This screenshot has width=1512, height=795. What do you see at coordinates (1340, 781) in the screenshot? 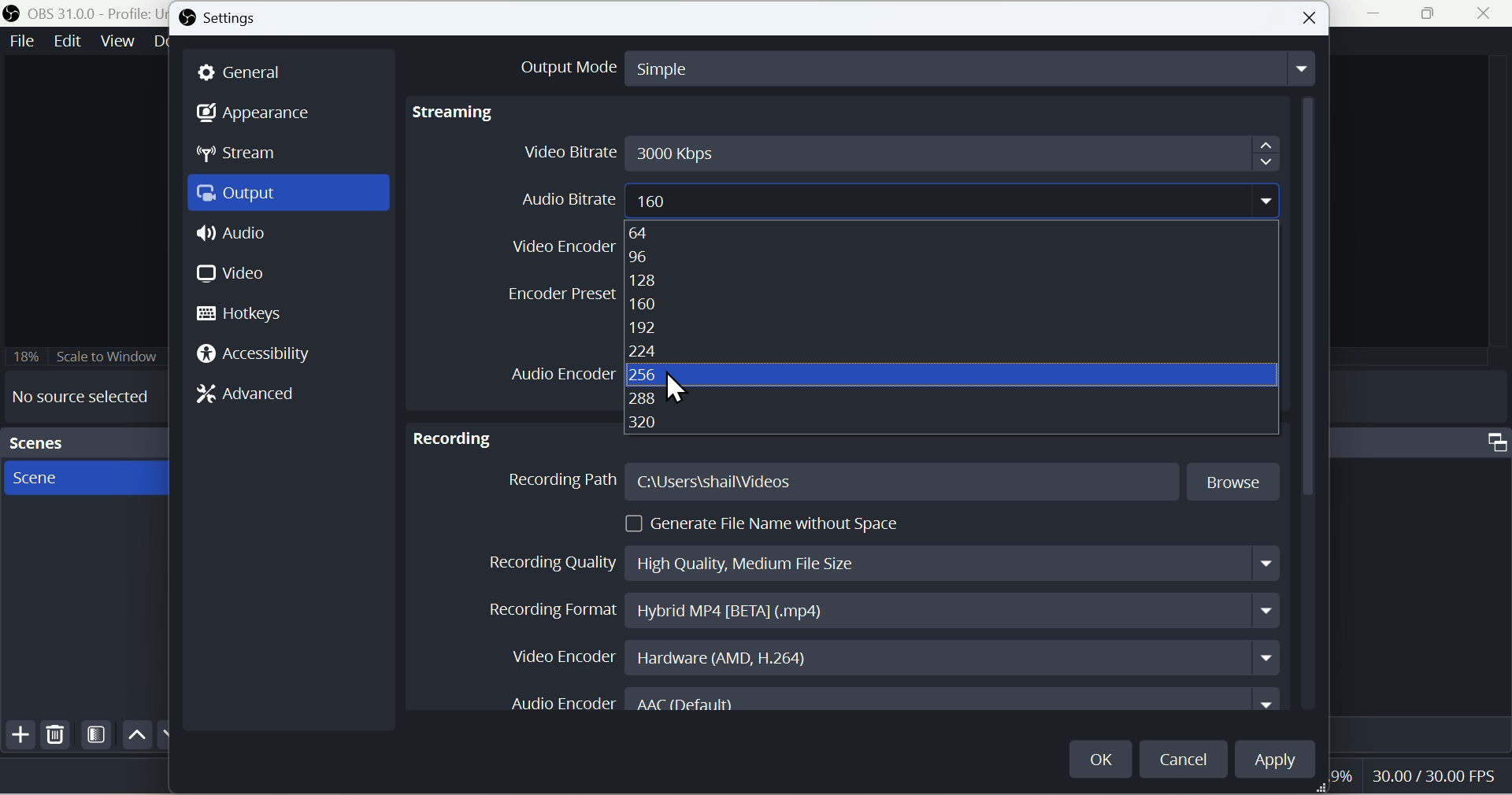
I see `9%` at bounding box center [1340, 781].